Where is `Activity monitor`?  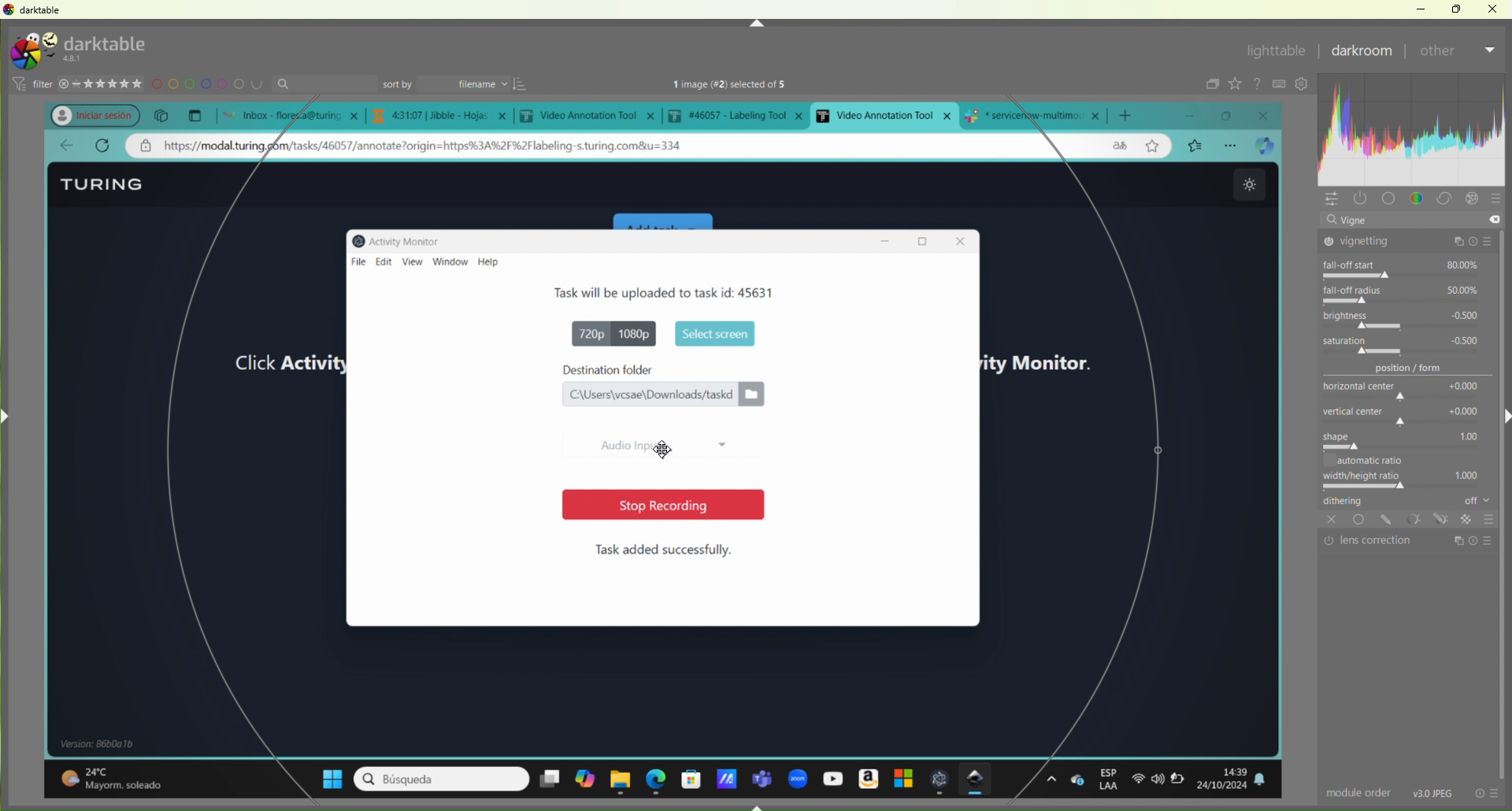
Activity monitor is located at coordinates (402, 239).